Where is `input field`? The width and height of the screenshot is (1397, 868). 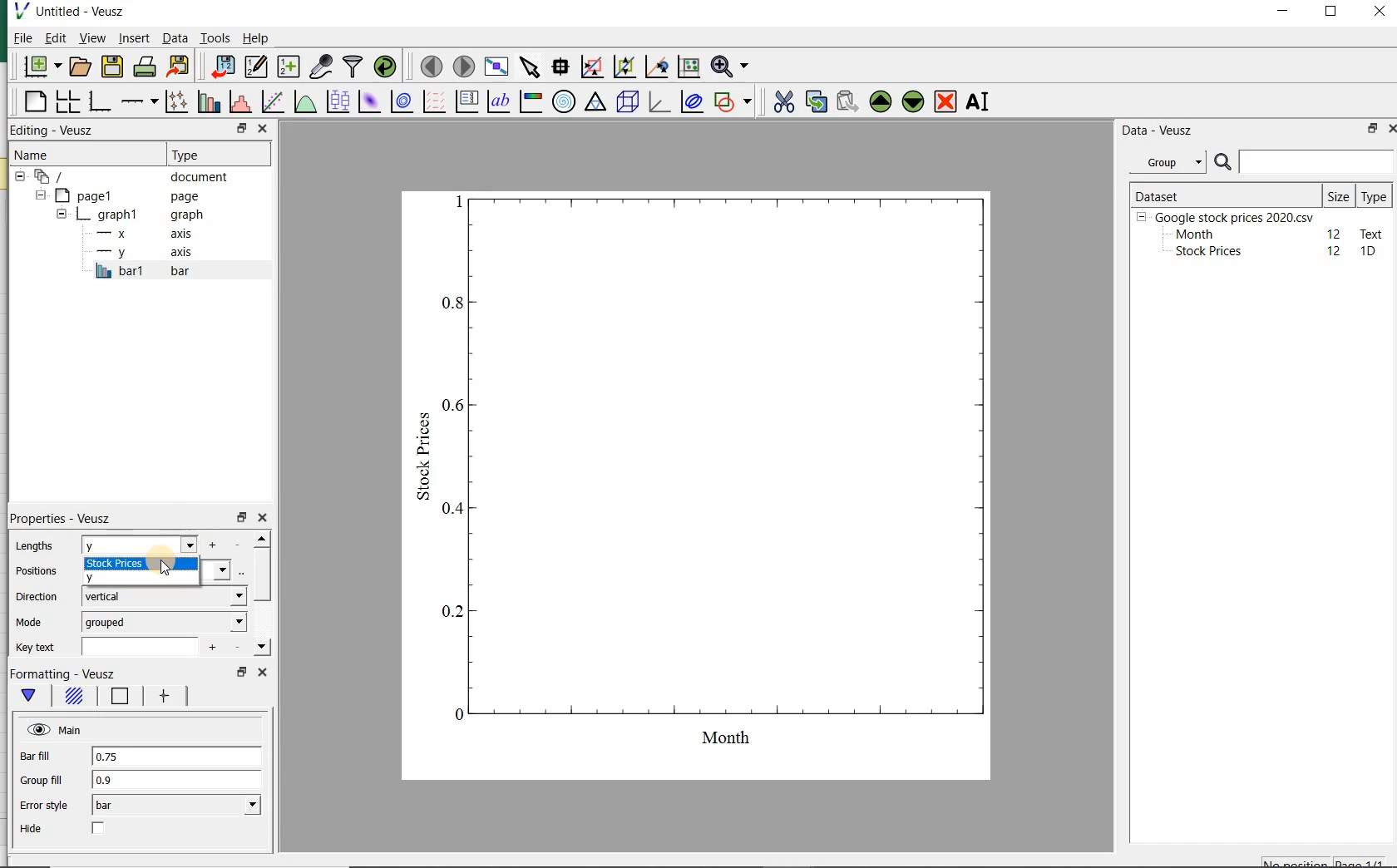 input field is located at coordinates (140, 649).